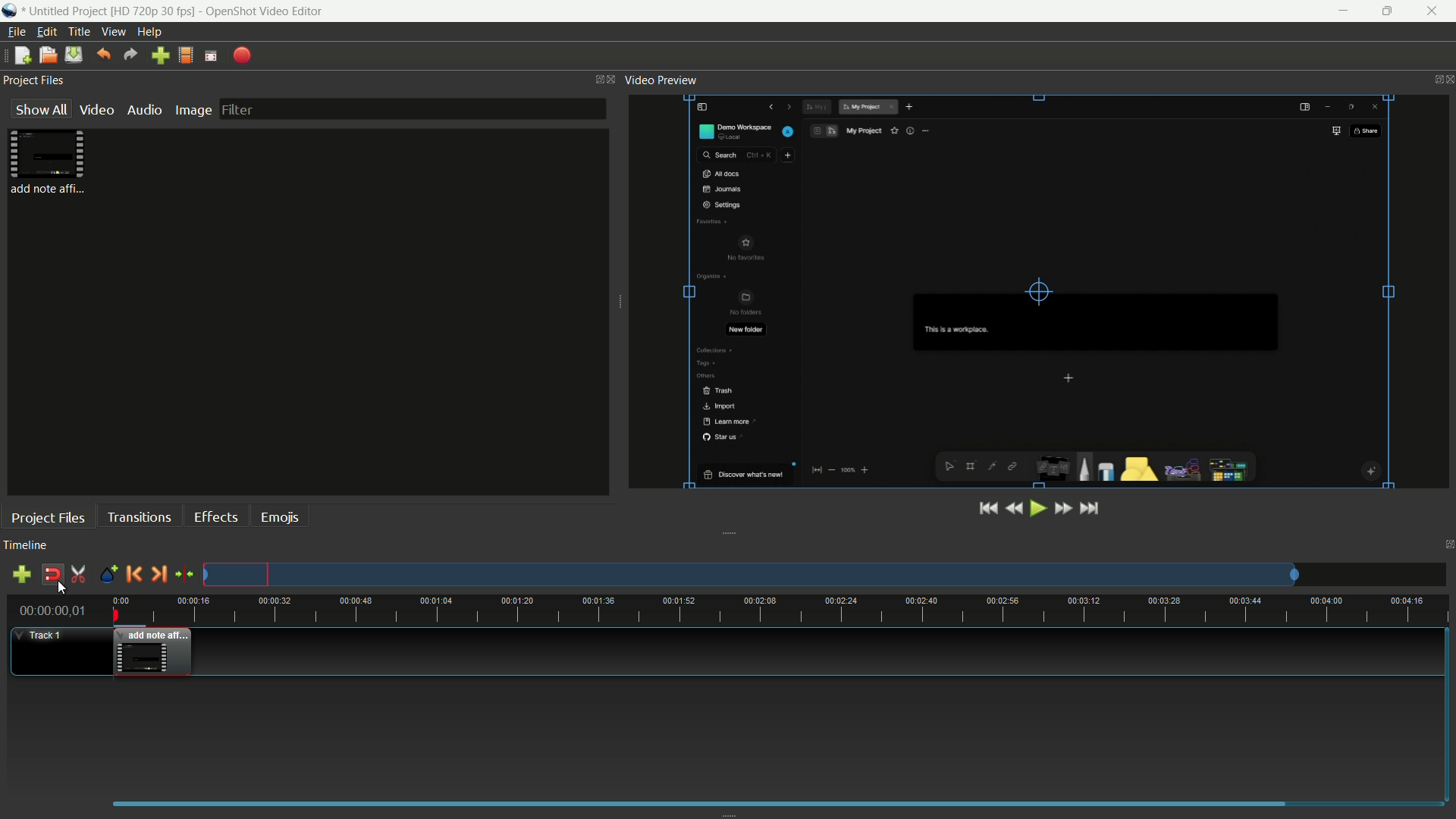 The image size is (1456, 819). I want to click on project files, so click(49, 518).